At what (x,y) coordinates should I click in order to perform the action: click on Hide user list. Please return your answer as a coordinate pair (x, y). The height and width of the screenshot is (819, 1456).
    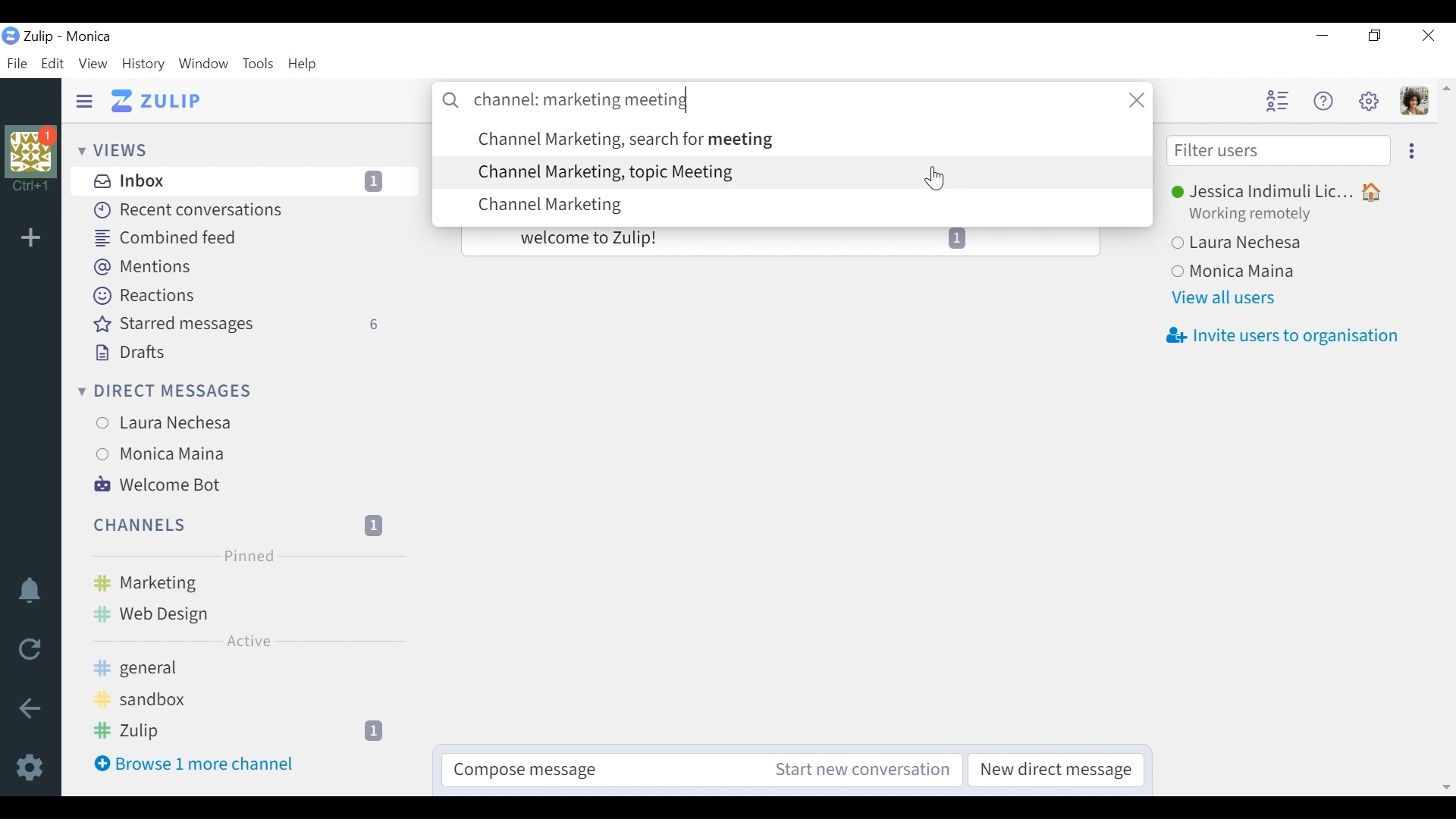
    Looking at the image, I should click on (1277, 100).